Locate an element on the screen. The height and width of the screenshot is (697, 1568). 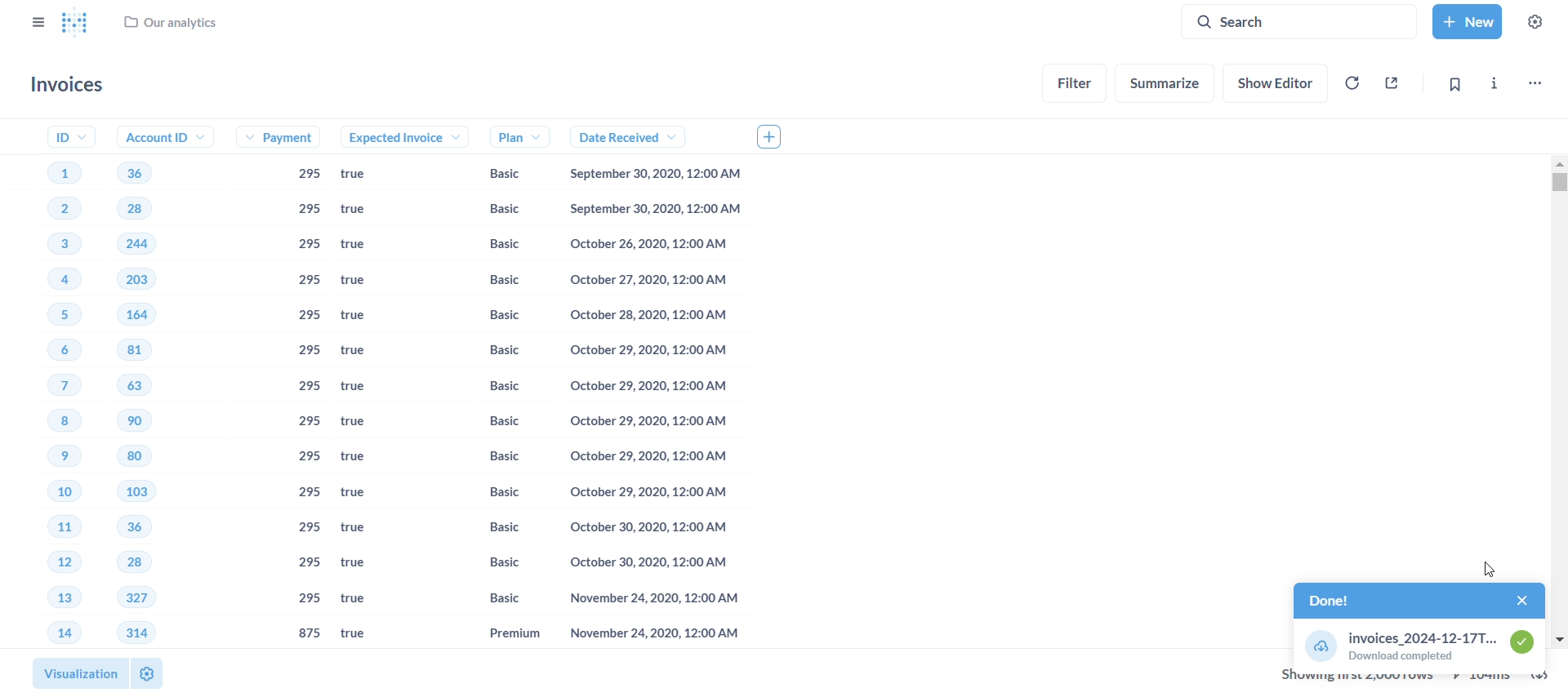
true is located at coordinates (365, 316).